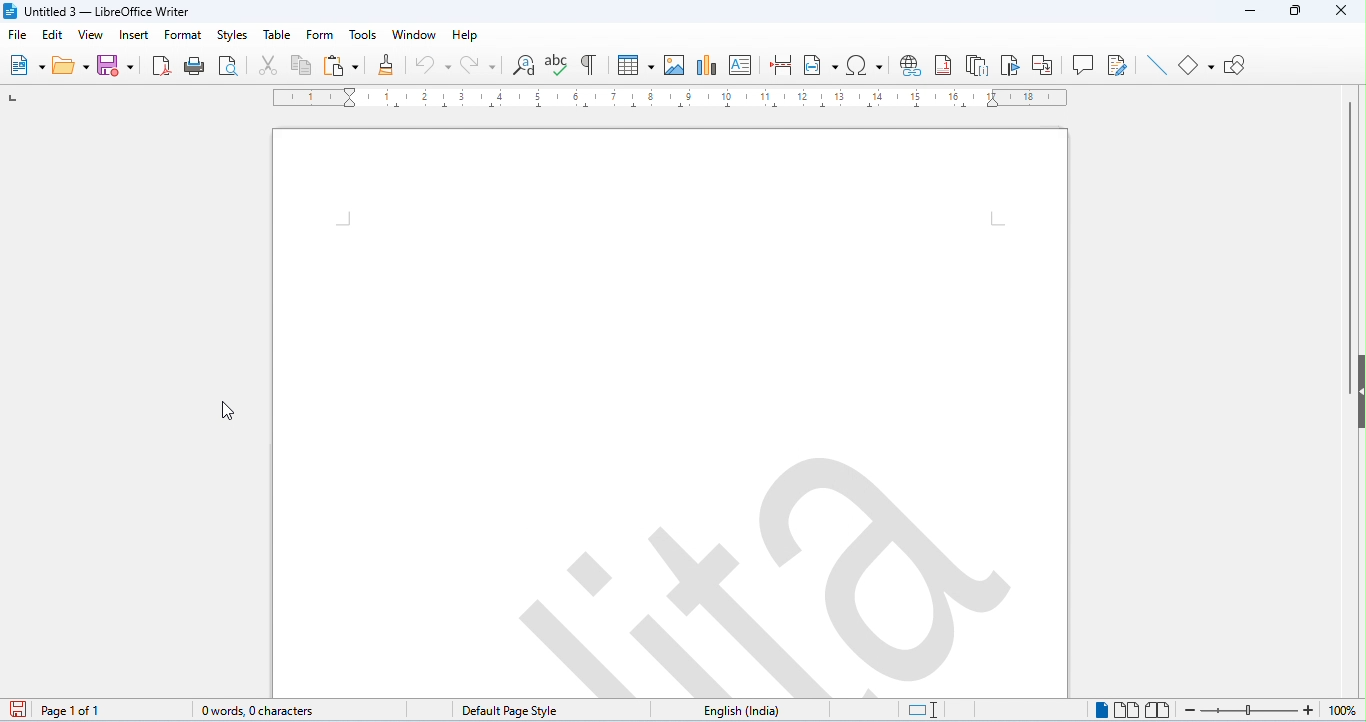 The height and width of the screenshot is (722, 1366). What do you see at coordinates (978, 66) in the screenshot?
I see `insert and note` at bounding box center [978, 66].